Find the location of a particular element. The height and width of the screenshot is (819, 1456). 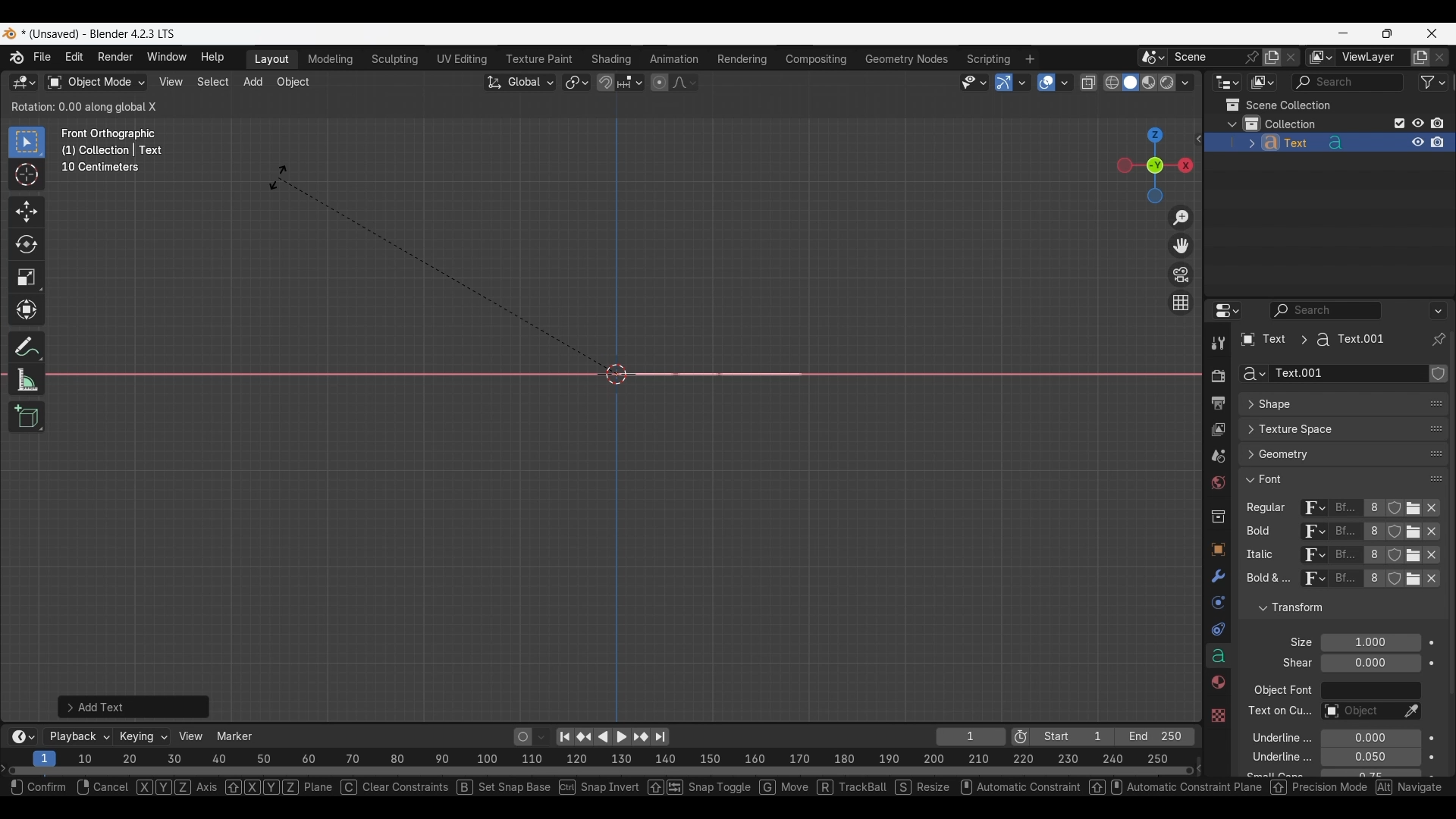

Use preview range is located at coordinates (1021, 737).